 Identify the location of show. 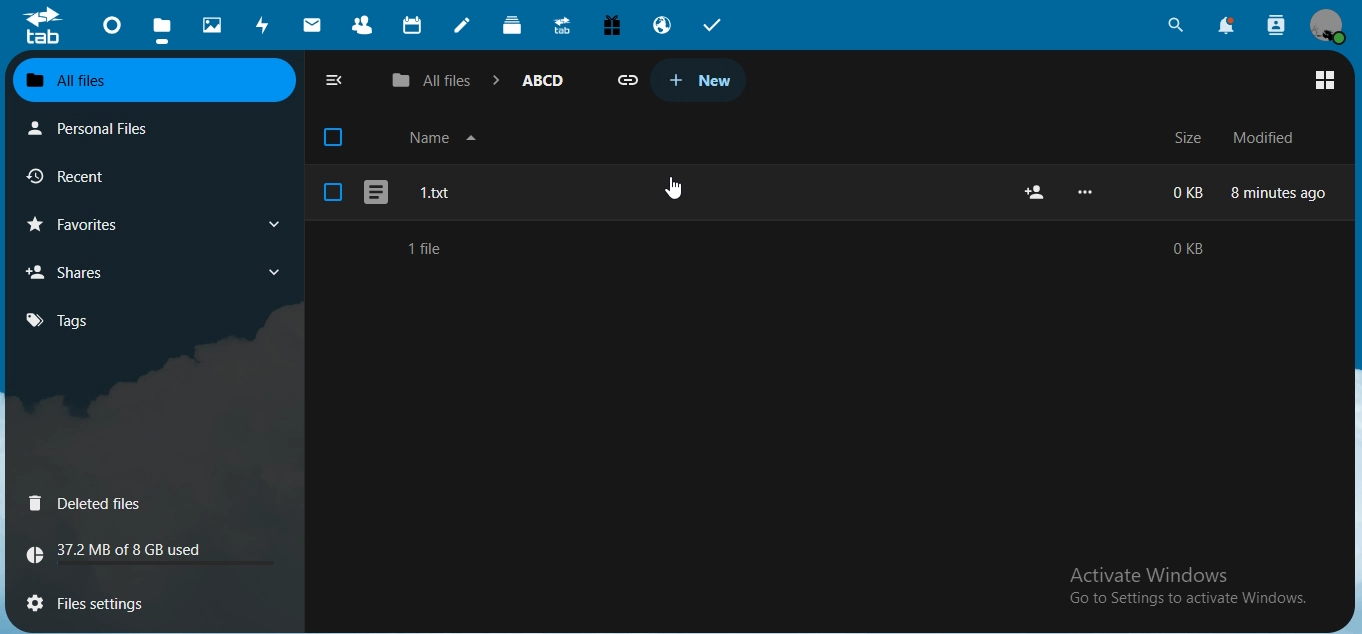
(273, 226).